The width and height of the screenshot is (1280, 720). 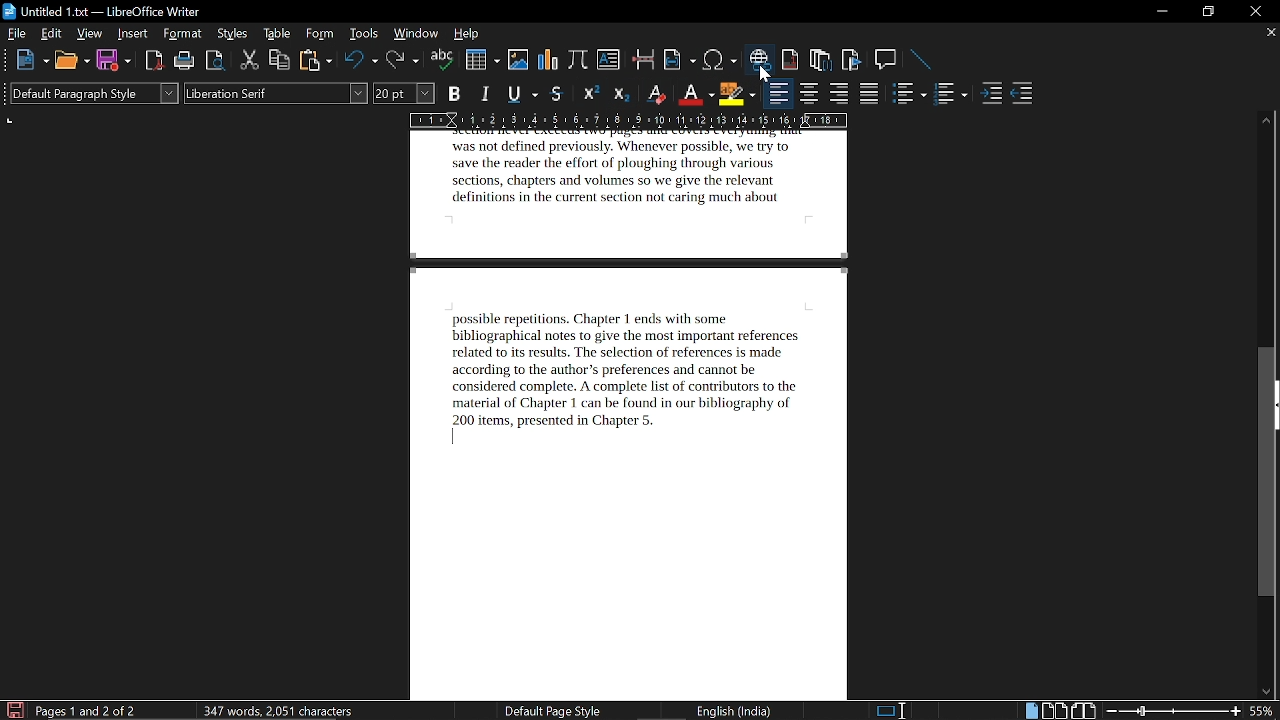 I want to click on print, so click(x=184, y=61).